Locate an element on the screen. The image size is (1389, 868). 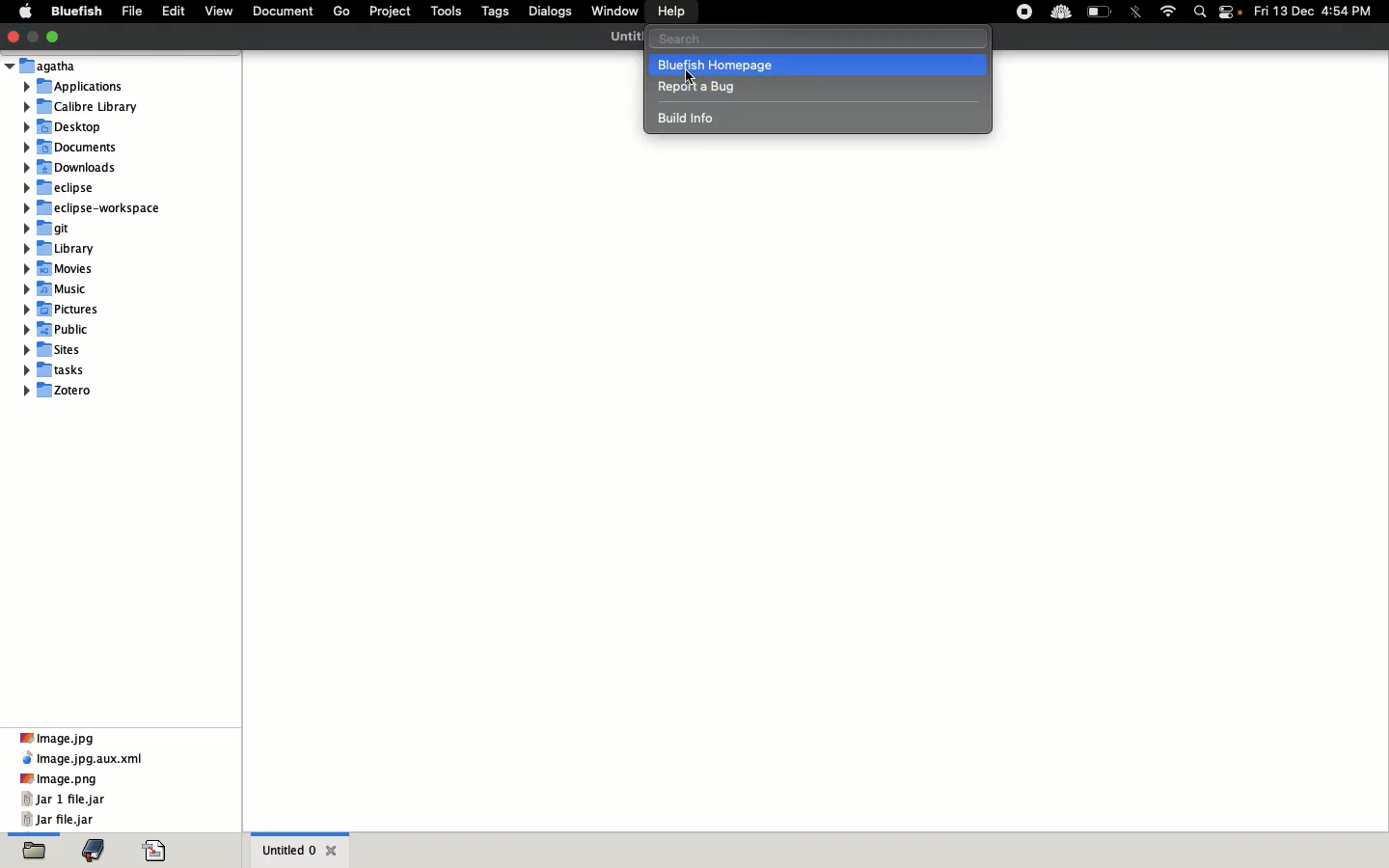
applications is located at coordinates (76, 86).